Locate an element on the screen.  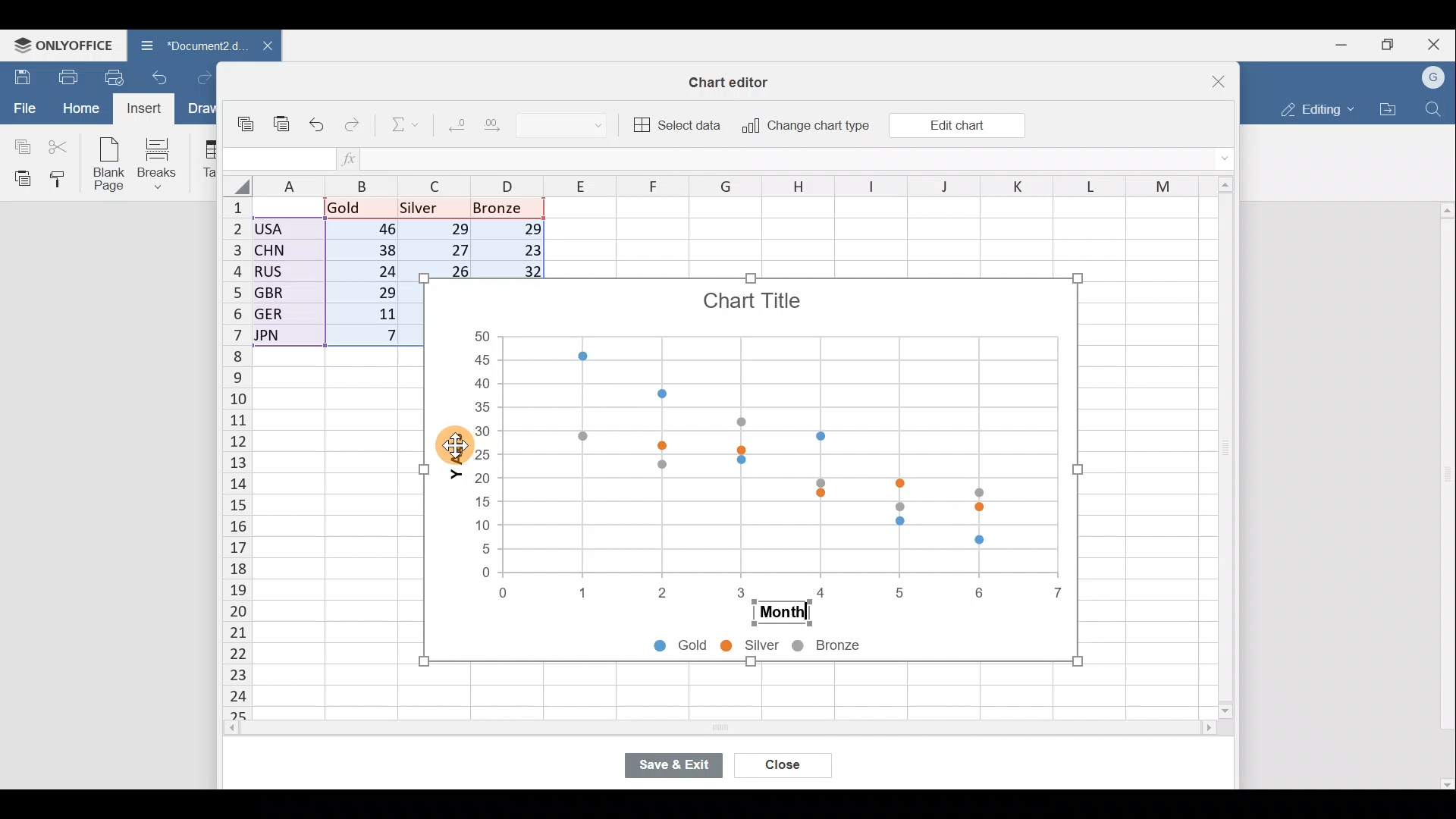
Chart editor is located at coordinates (736, 79).